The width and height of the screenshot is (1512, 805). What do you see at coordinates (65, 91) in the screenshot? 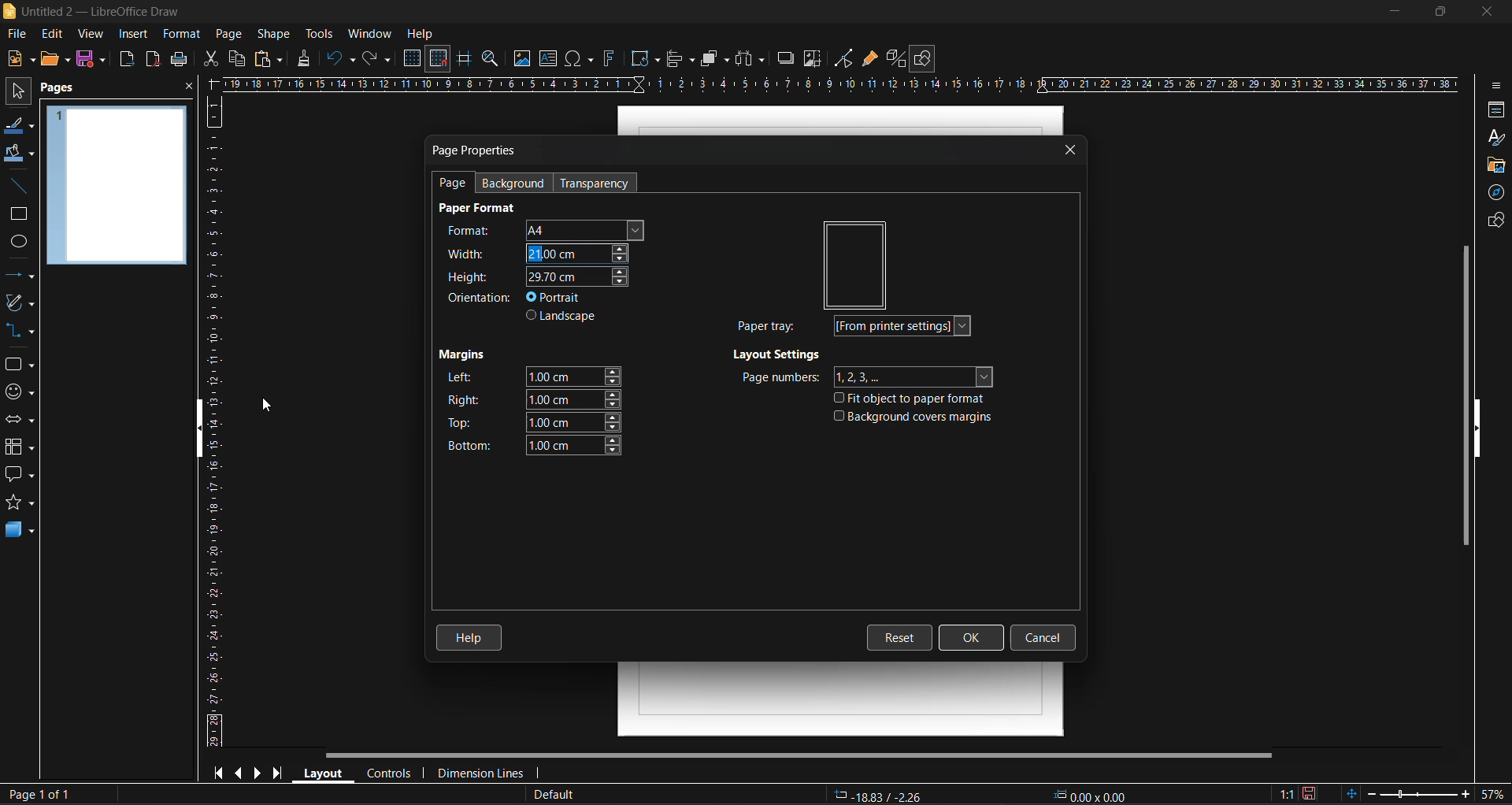
I see `pages` at bounding box center [65, 91].